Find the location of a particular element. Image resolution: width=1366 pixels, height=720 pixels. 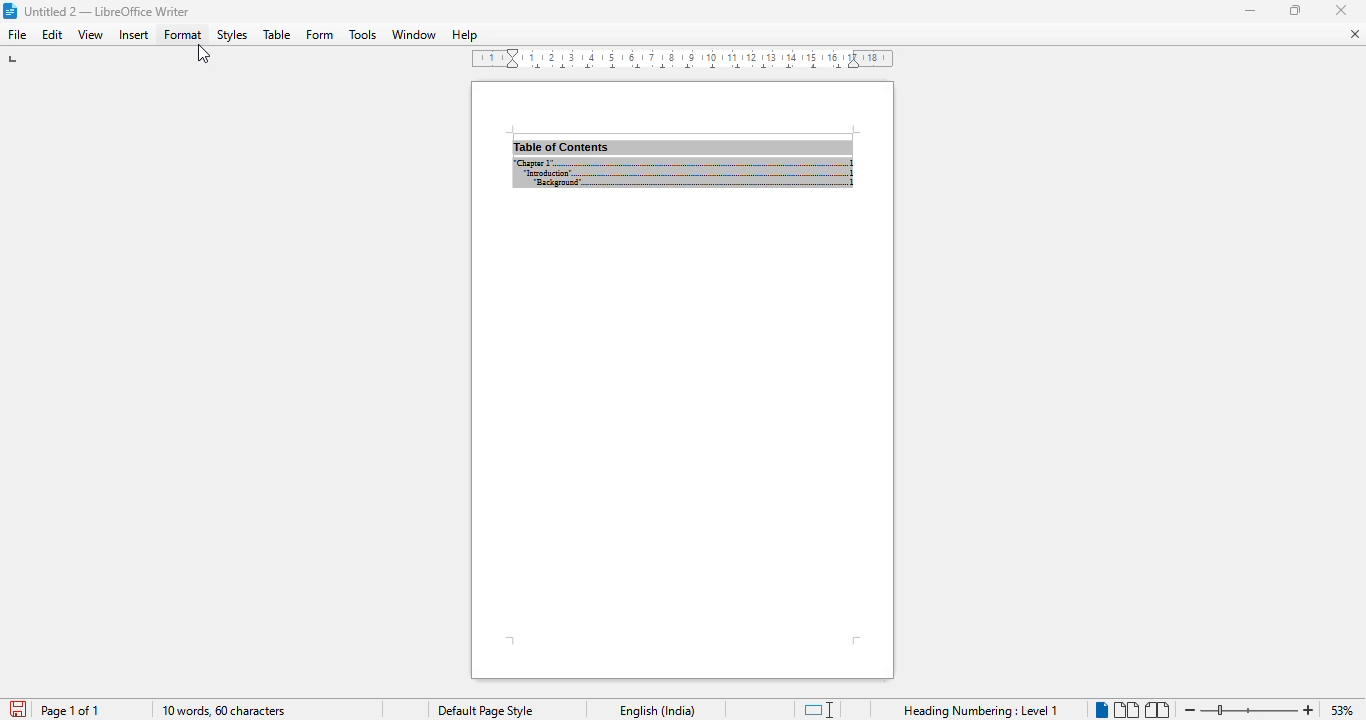

standard selection is located at coordinates (816, 709).